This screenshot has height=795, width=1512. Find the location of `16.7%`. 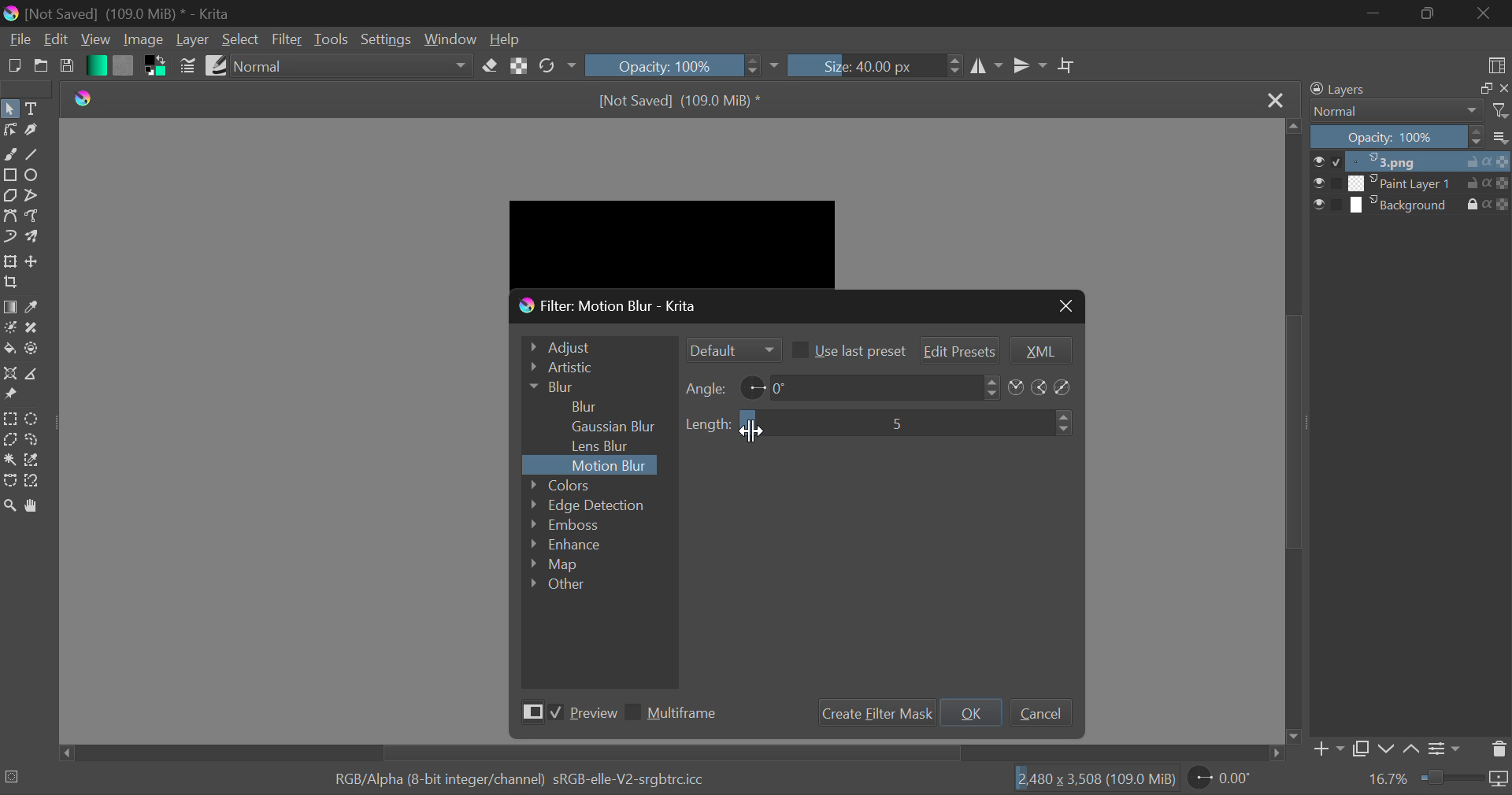

16.7% is located at coordinates (1388, 779).